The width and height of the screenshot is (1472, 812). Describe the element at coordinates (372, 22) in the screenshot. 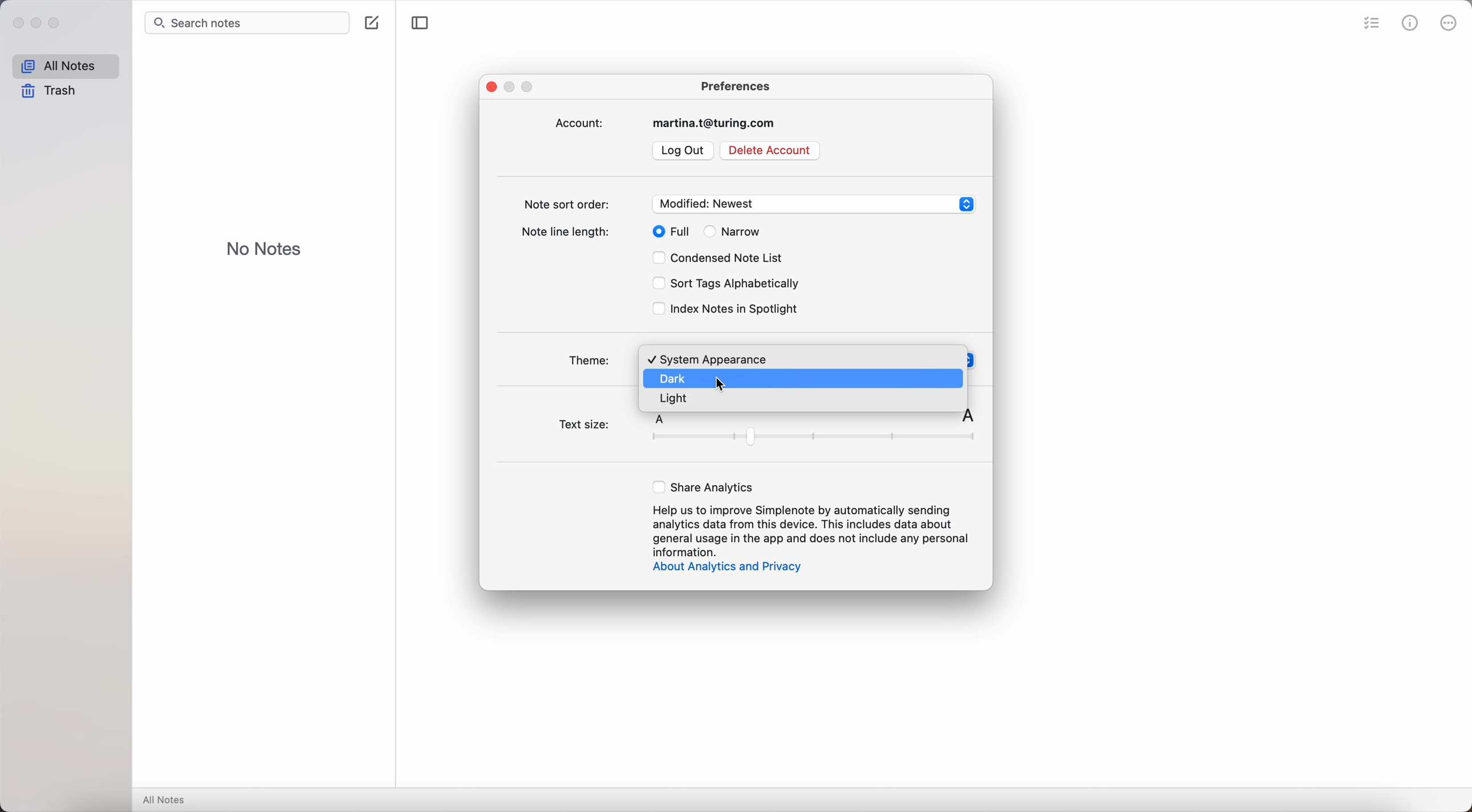

I see `create note` at that location.